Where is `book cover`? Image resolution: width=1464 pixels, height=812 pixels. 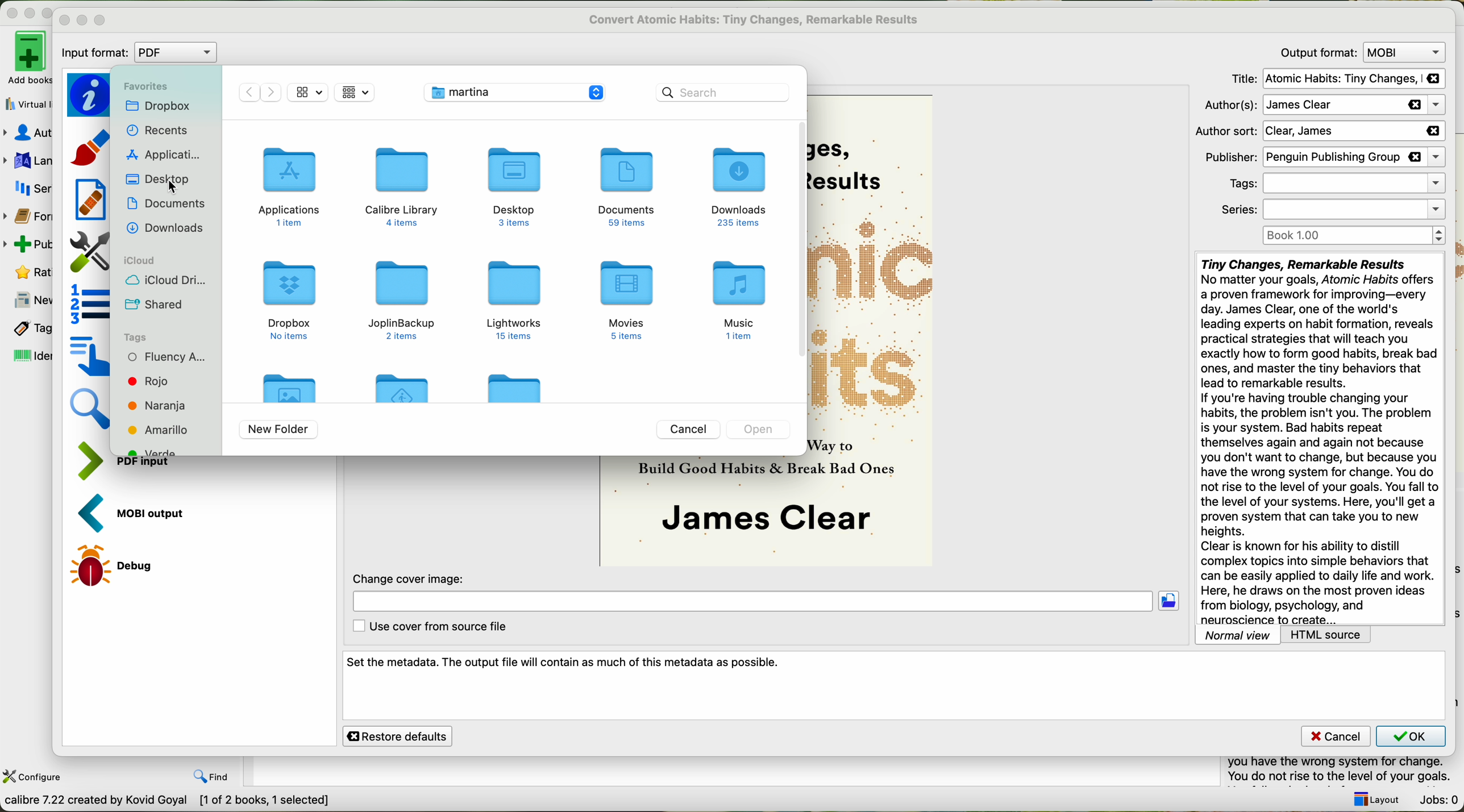
book cover is located at coordinates (870, 333).